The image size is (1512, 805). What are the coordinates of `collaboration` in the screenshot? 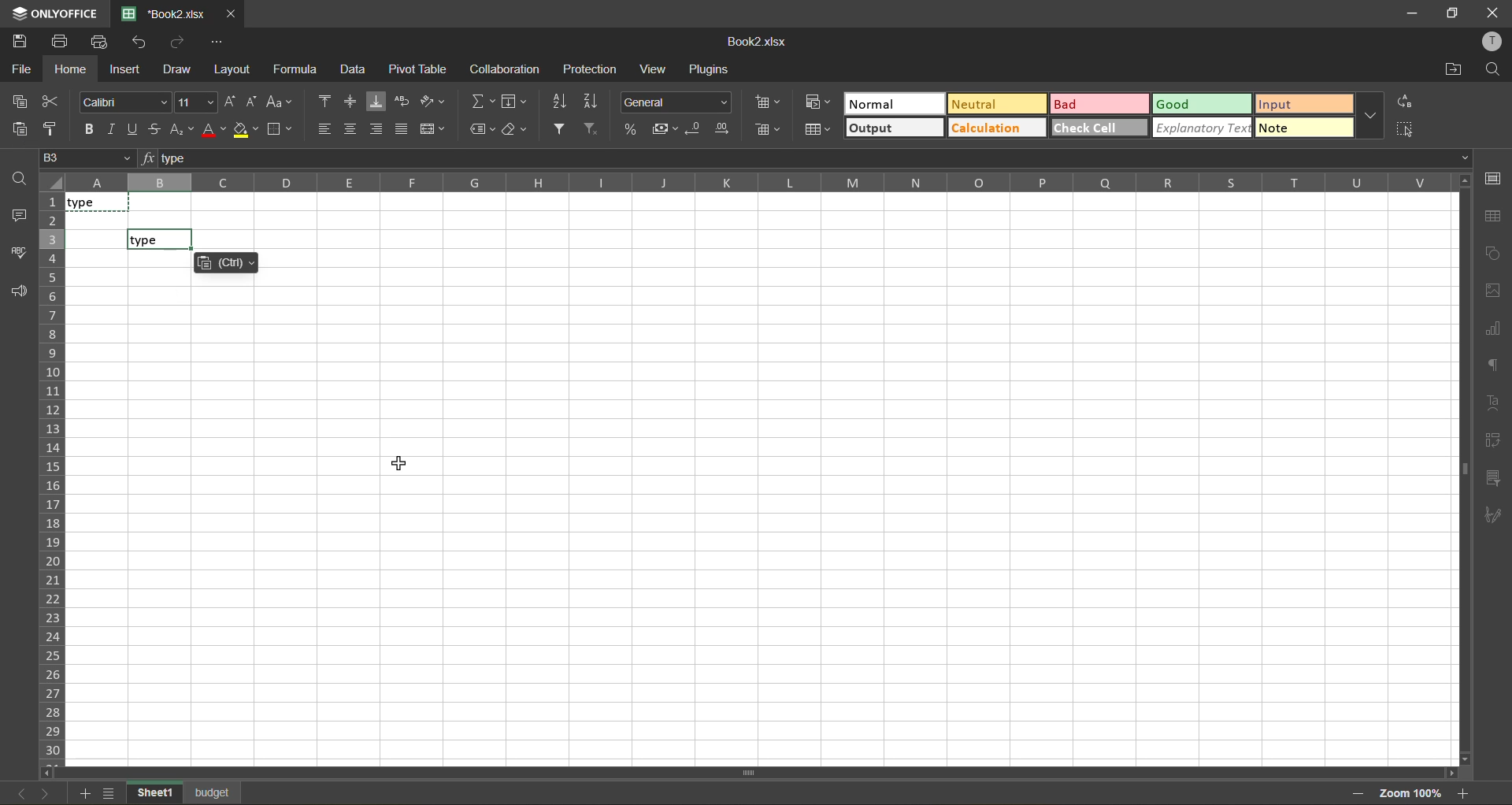 It's located at (502, 72).